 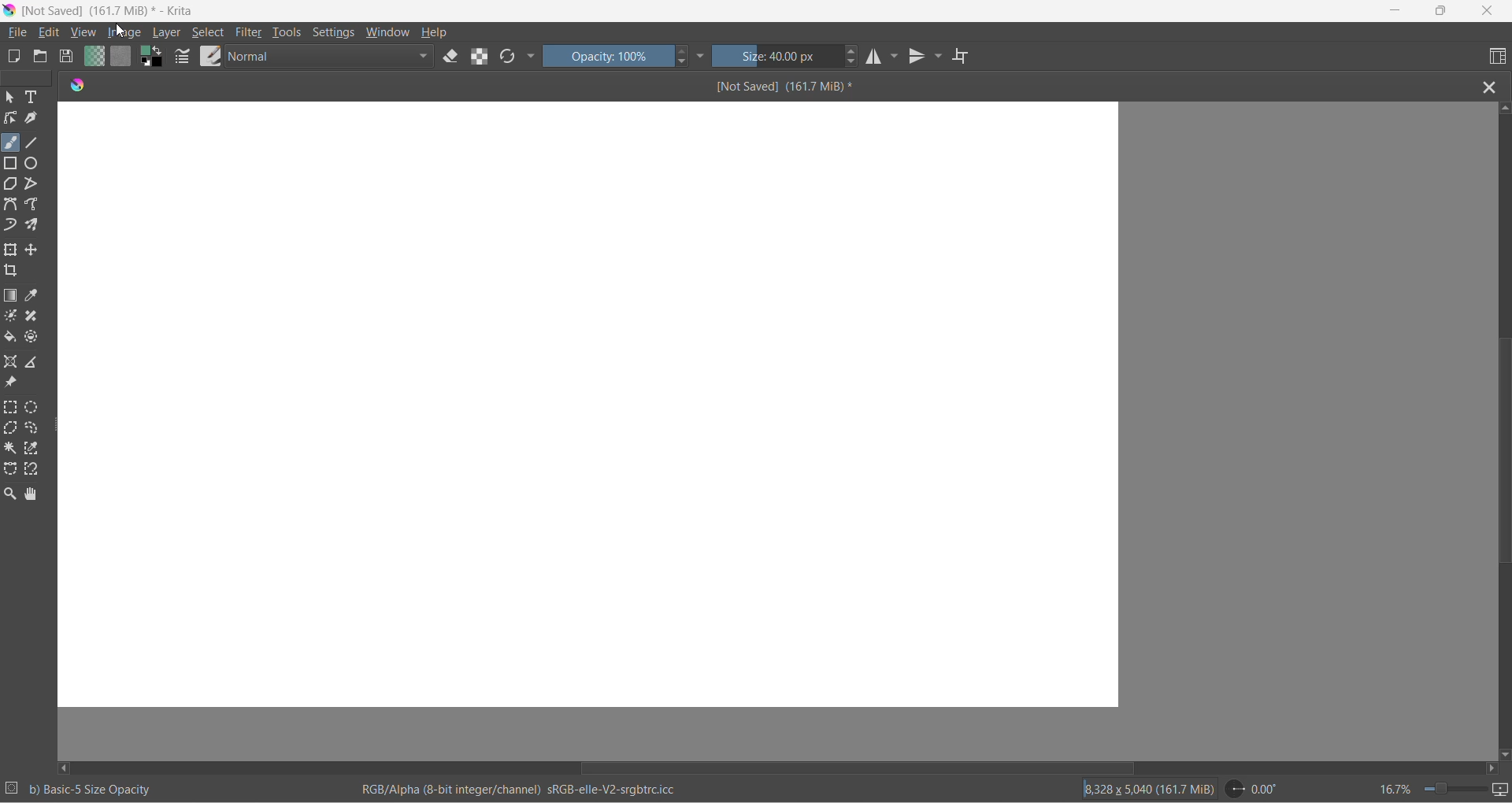 What do you see at coordinates (769, 87) in the screenshot?
I see `file name and size` at bounding box center [769, 87].